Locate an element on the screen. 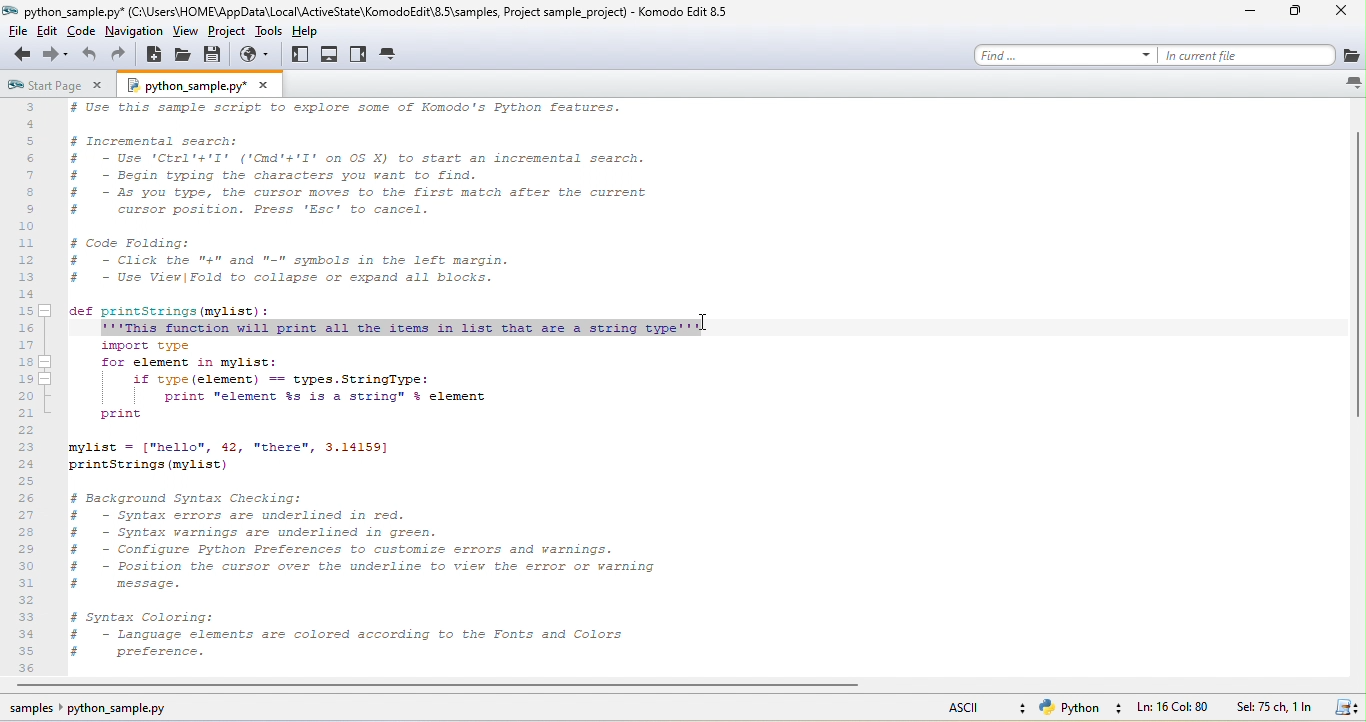 The image size is (1366, 722). right pane is located at coordinates (360, 56).